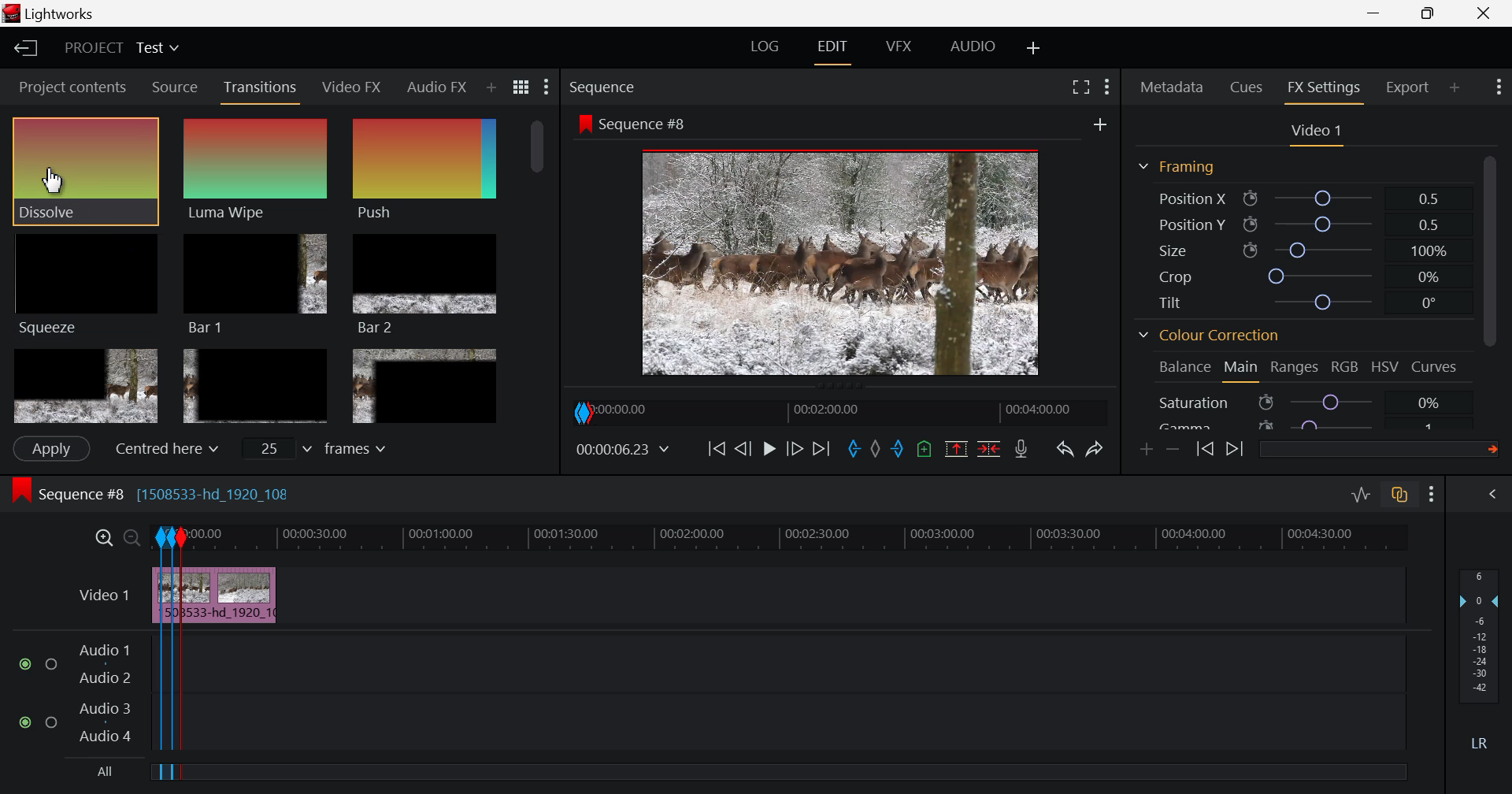 Image resolution: width=1512 pixels, height=794 pixels. Describe the element at coordinates (743, 448) in the screenshot. I see `Go Back` at that location.